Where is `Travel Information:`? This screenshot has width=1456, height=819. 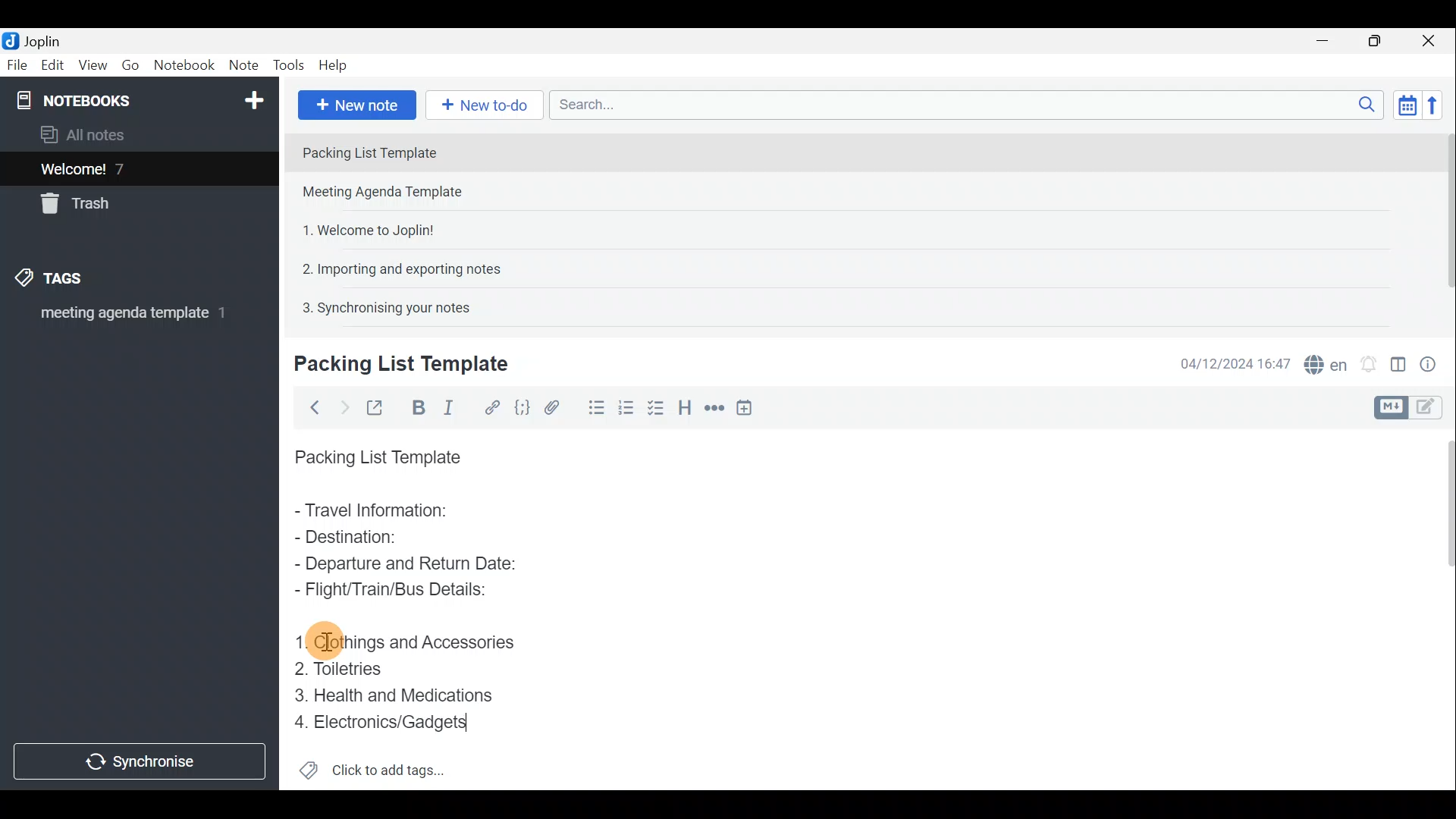
Travel Information: is located at coordinates (384, 512).